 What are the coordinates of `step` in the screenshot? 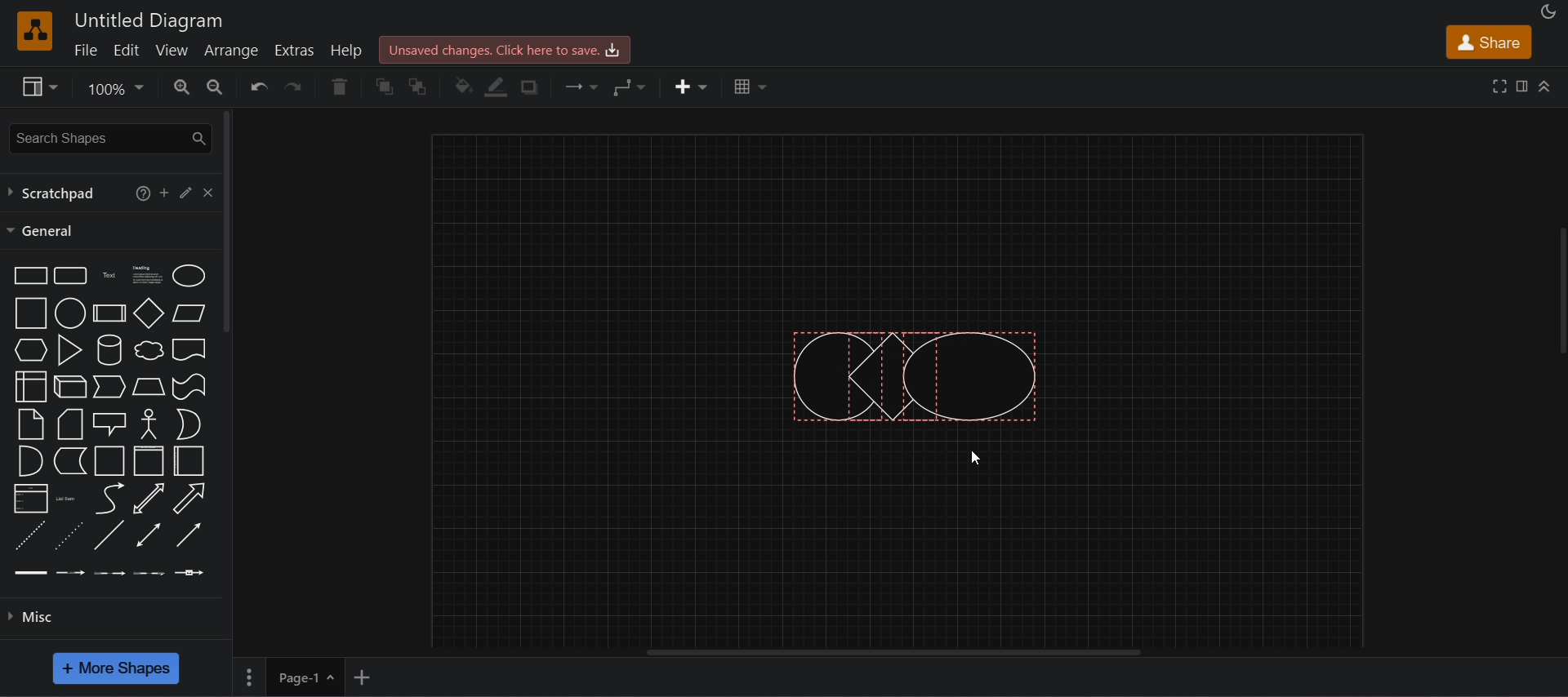 It's located at (108, 388).